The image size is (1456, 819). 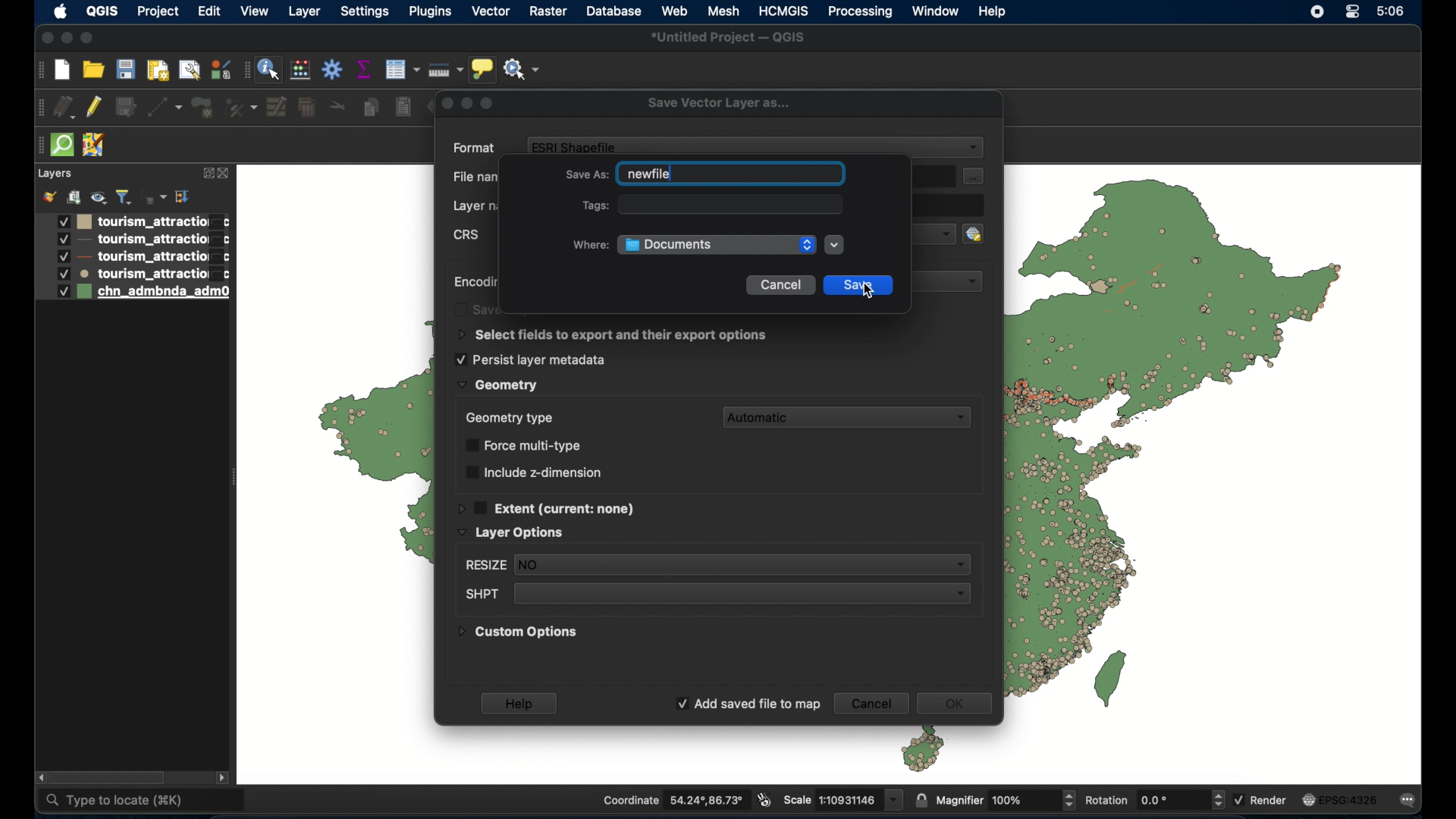 I want to click on shot dropdown , so click(x=715, y=595).